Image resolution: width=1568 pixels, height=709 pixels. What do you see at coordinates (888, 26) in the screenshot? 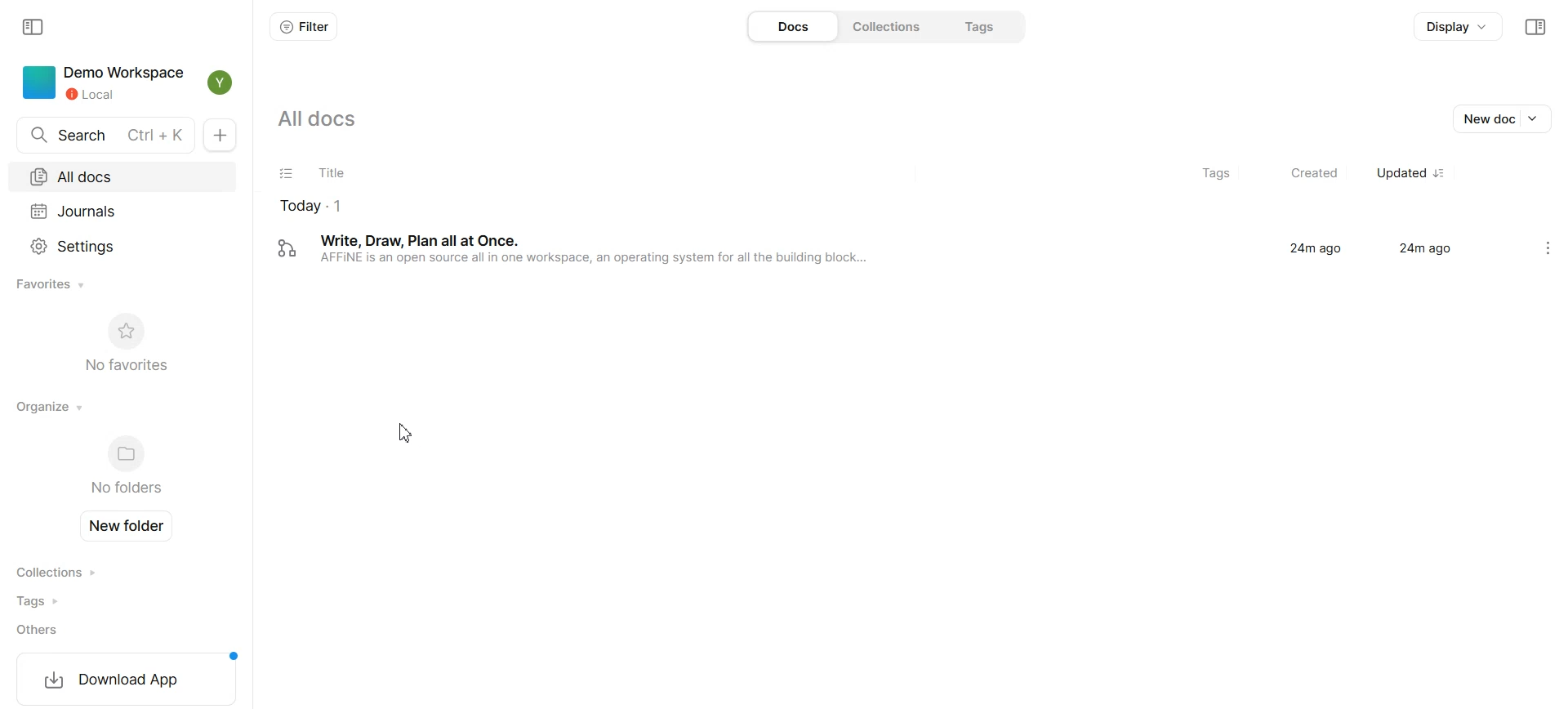
I see `Collections` at bounding box center [888, 26].